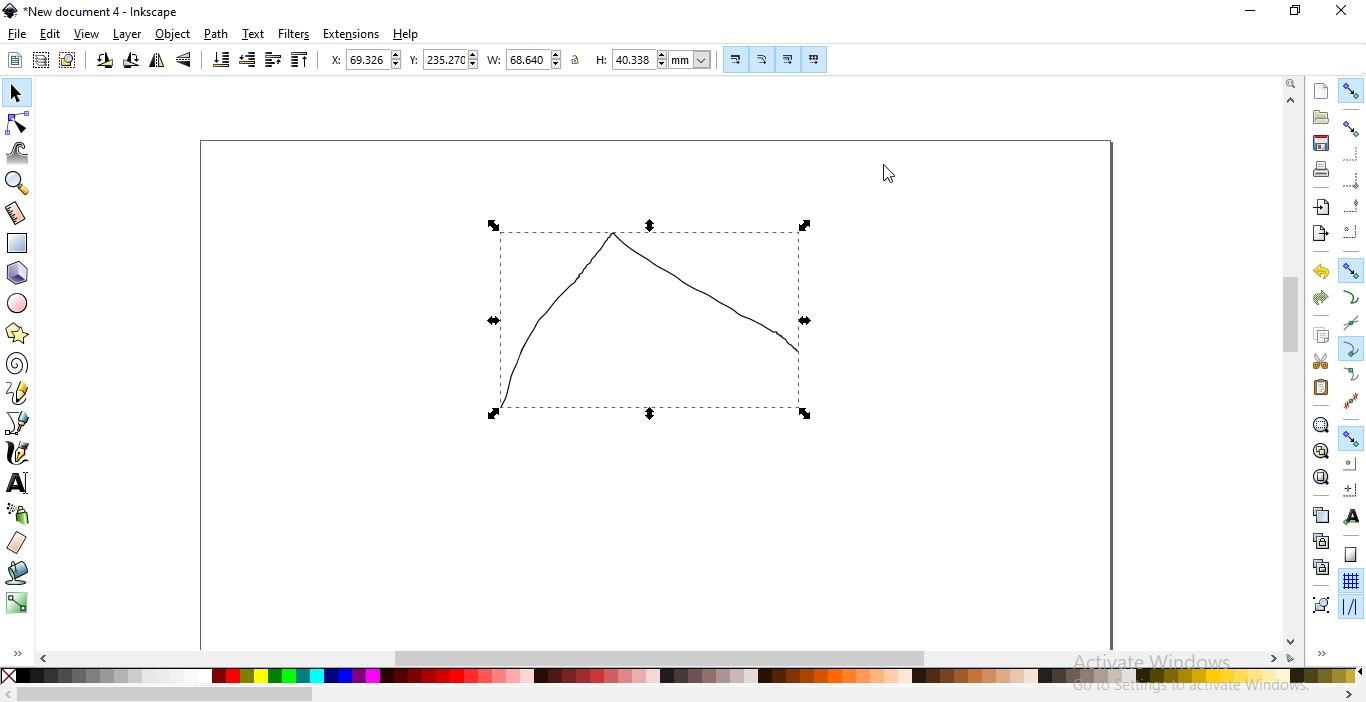 The height and width of the screenshot is (702, 1366). What do you see at coordinates (18, 303) in the screenshot?
I see `create circles, arcs, and ellipses` at bounding box center [18, 303].